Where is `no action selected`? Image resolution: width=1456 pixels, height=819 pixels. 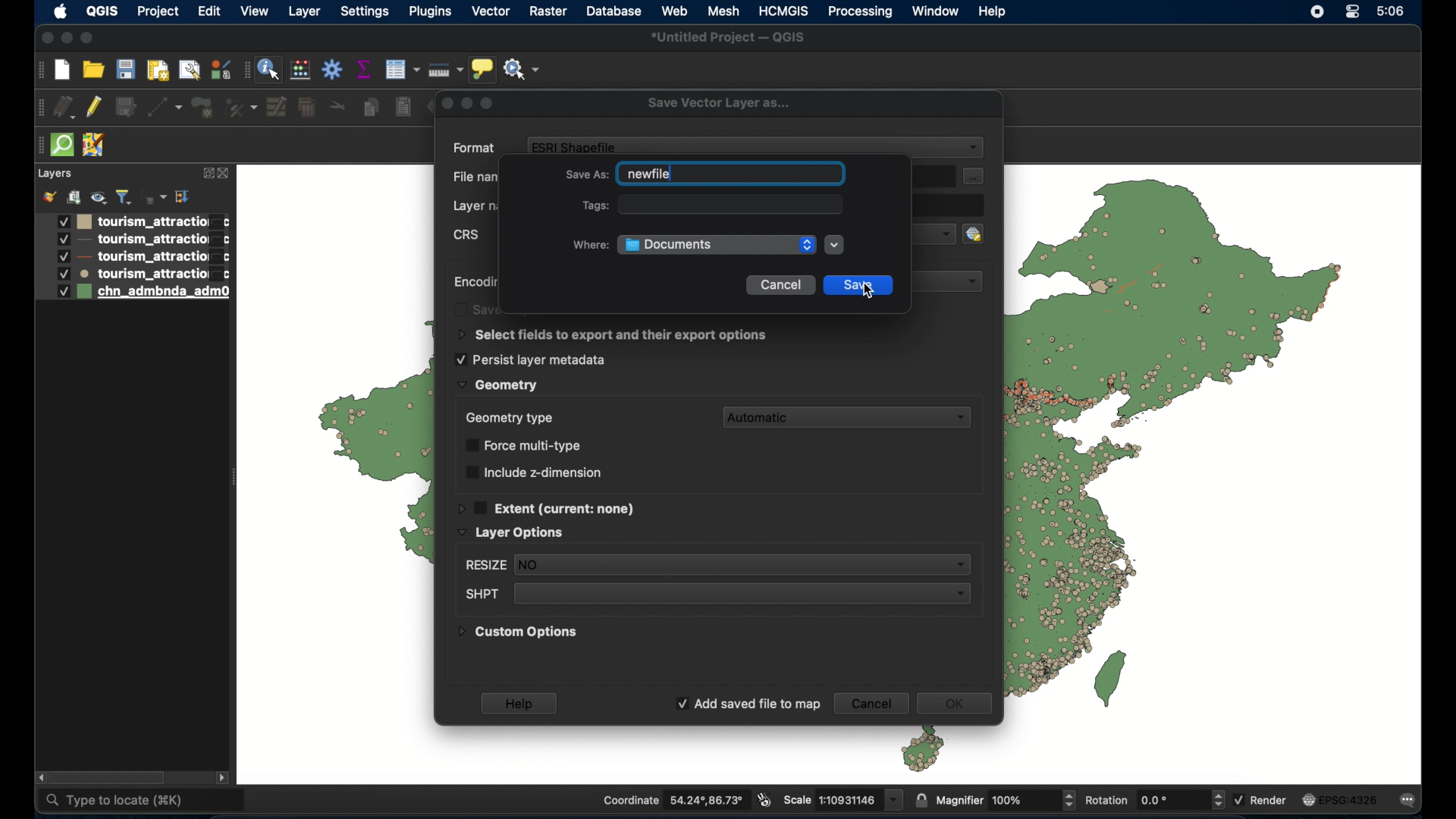
no action selected is located at coordinates (522, 67).